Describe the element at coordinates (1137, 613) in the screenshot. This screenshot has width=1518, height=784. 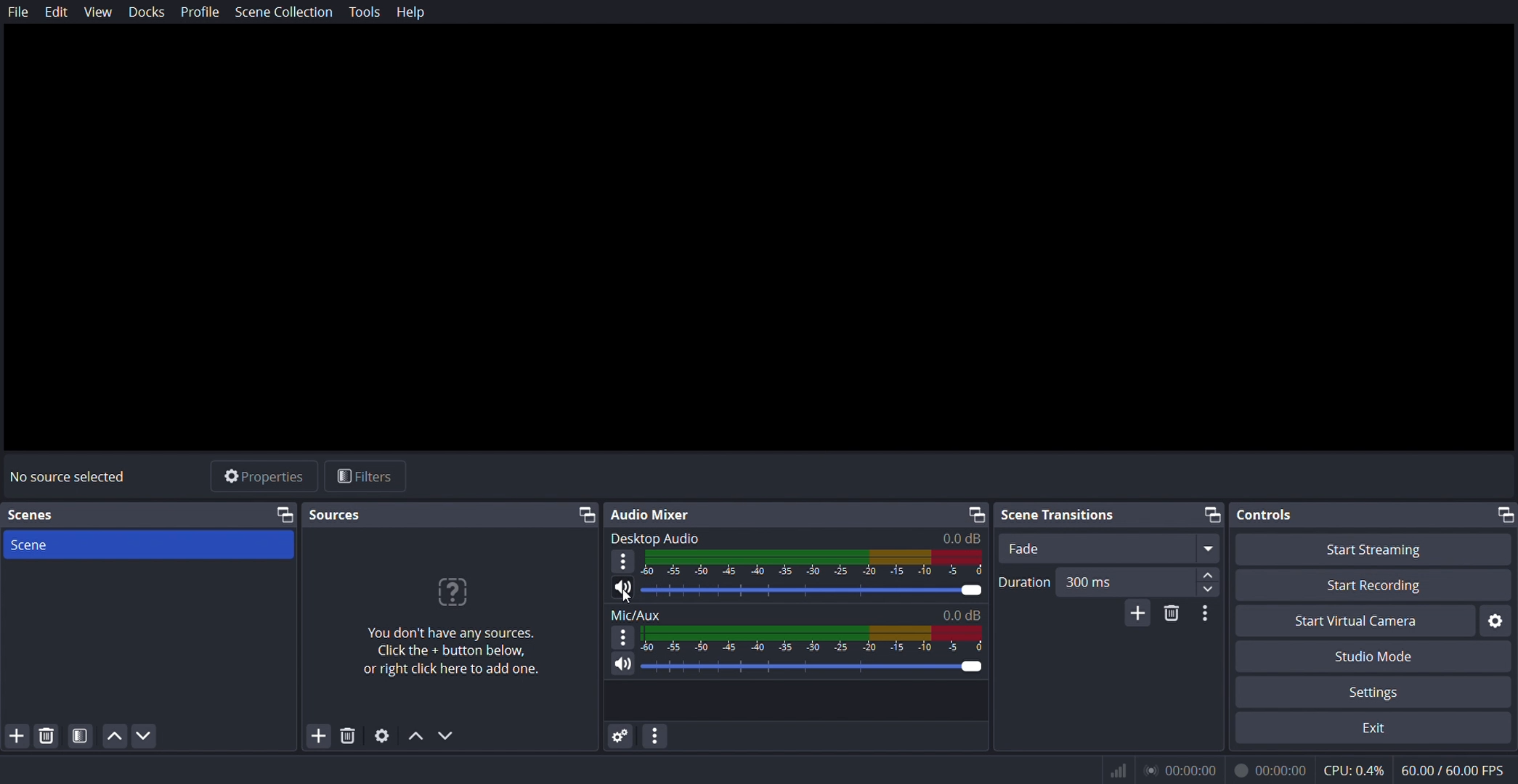
I see `add scene transitions` at that location.